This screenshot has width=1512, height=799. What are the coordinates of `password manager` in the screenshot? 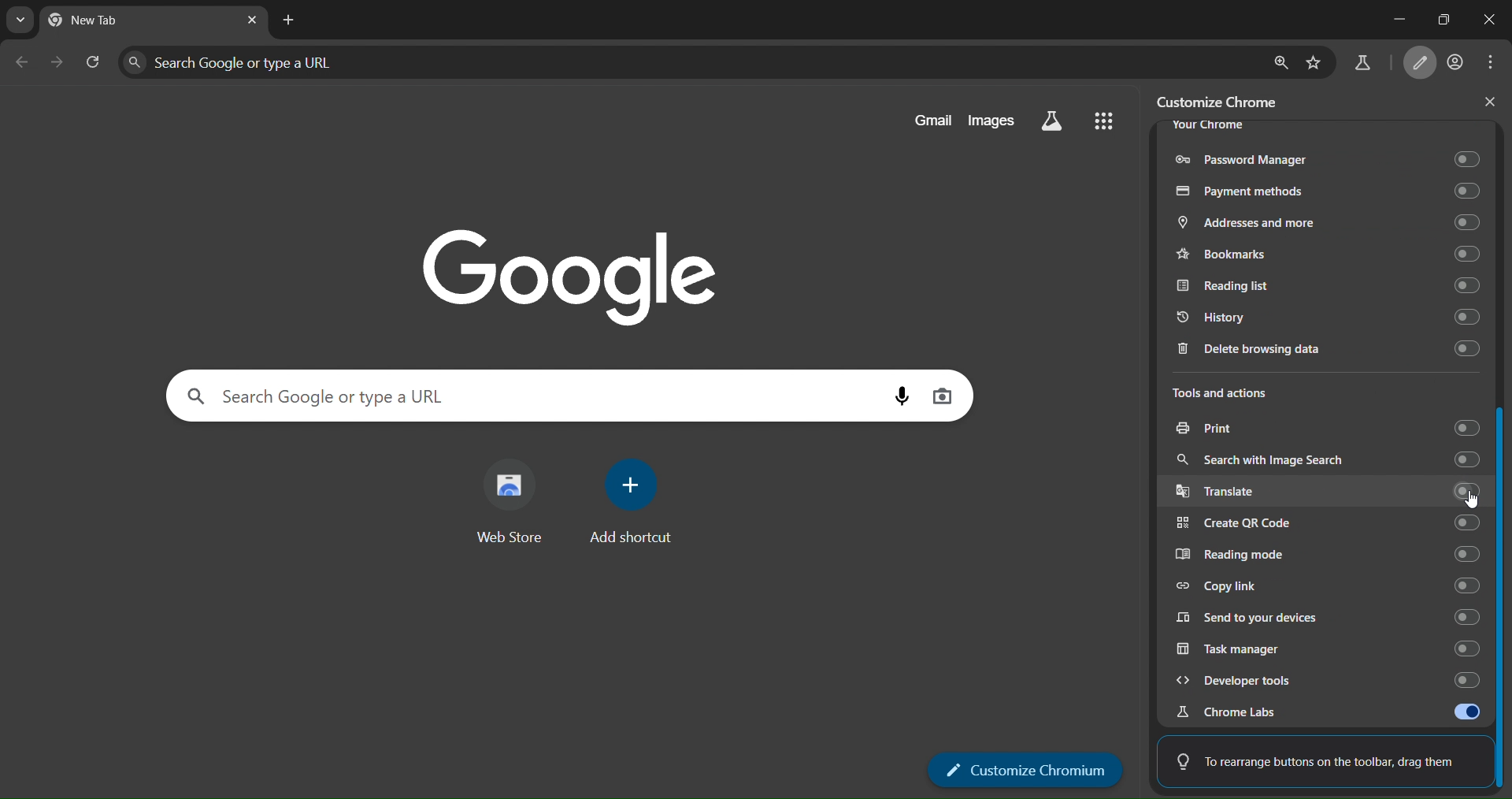 It's located at (1325, 158).